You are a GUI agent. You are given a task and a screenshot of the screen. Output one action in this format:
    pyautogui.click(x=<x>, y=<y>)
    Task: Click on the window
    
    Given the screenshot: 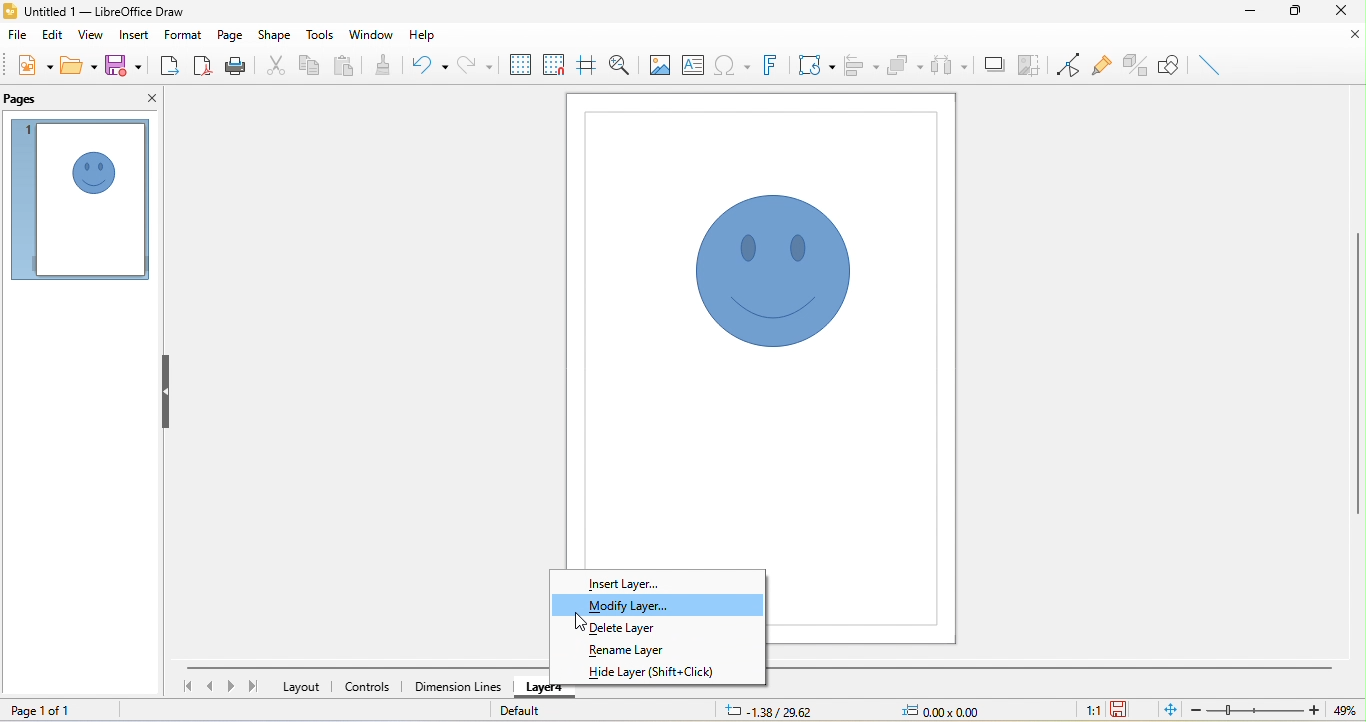 What is the action you would take?
    pyautogui.click(x=373, y=33)
    